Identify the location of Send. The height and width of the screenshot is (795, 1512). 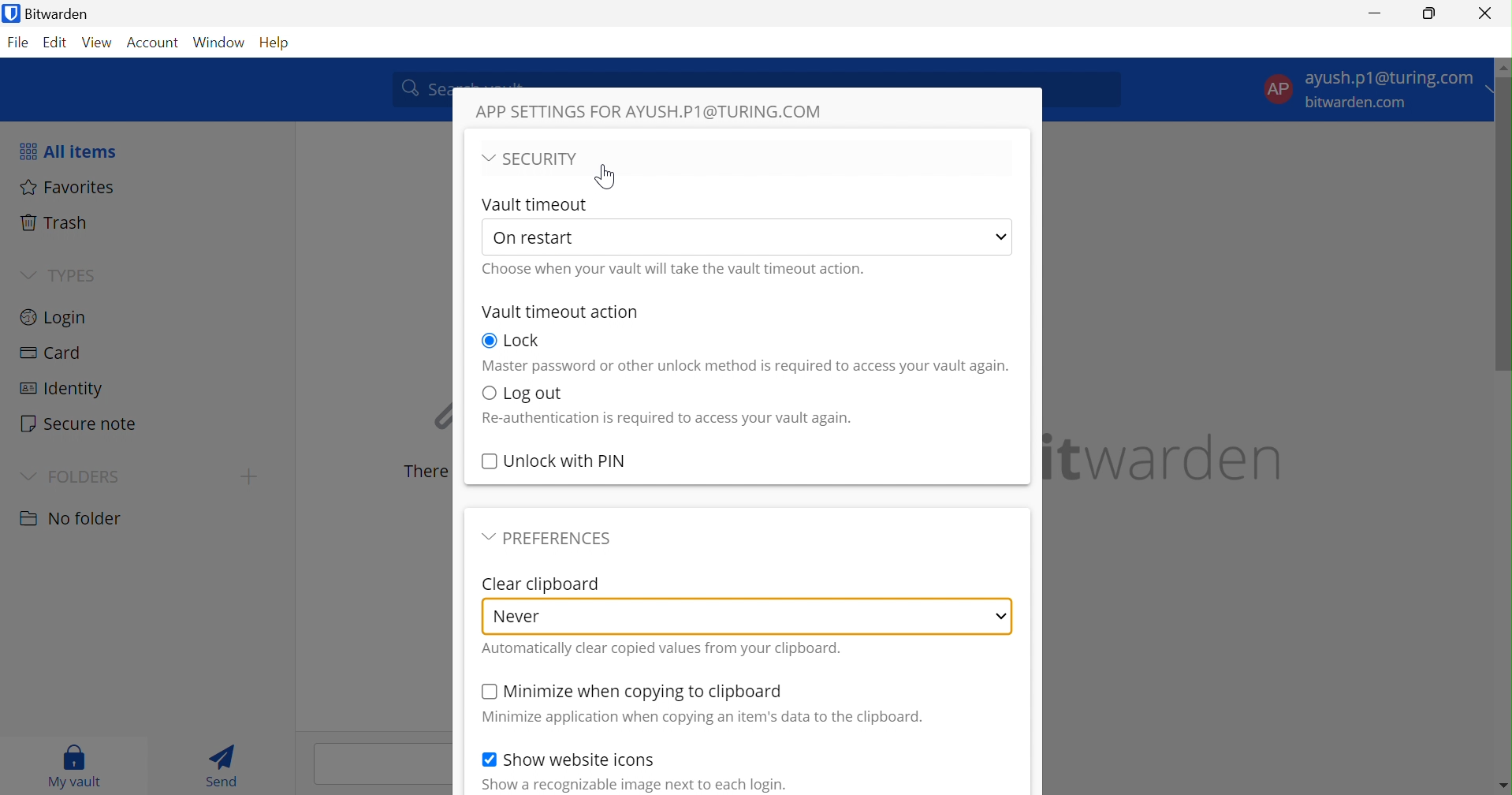
(224, 764).